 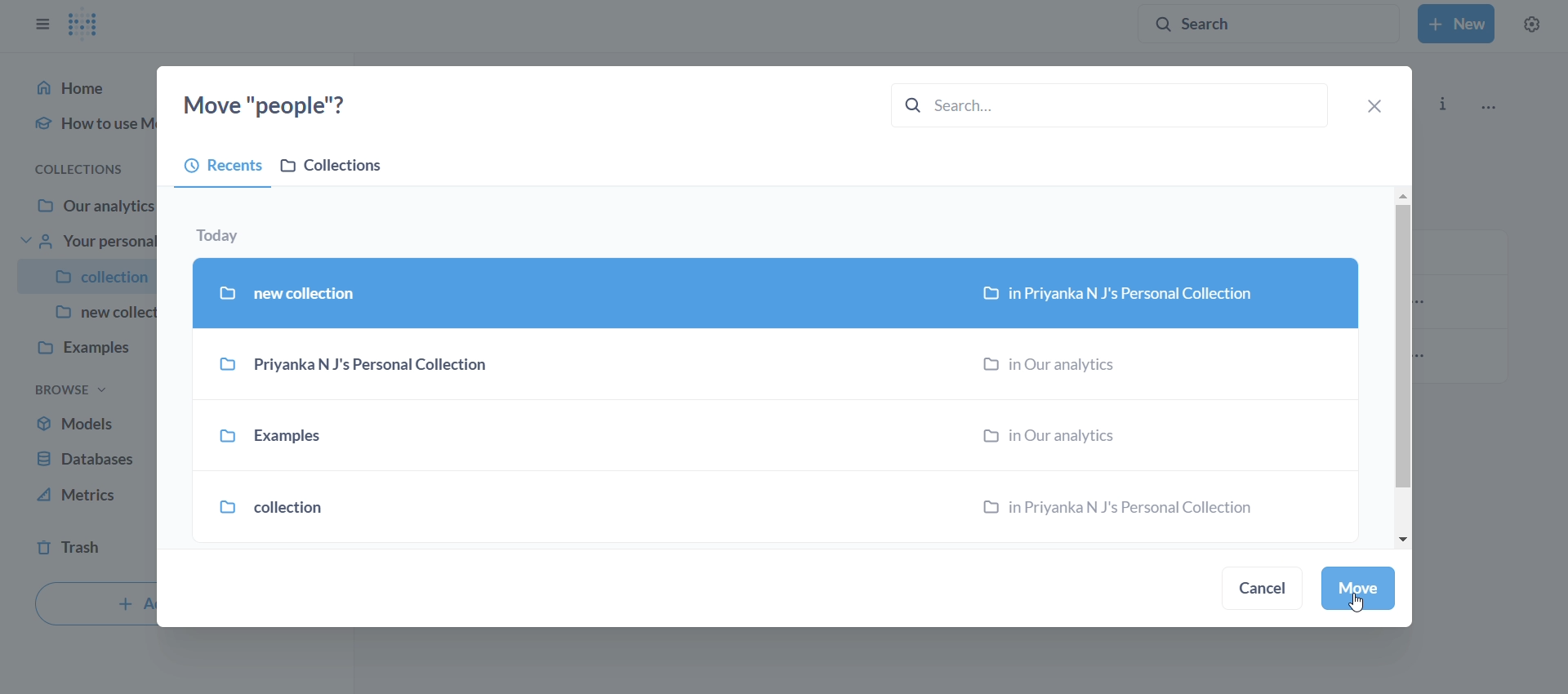 What do you see at coordinates (1262, 588) in the screenshot?
I see `cancel` at bounding box center [1262, 588].